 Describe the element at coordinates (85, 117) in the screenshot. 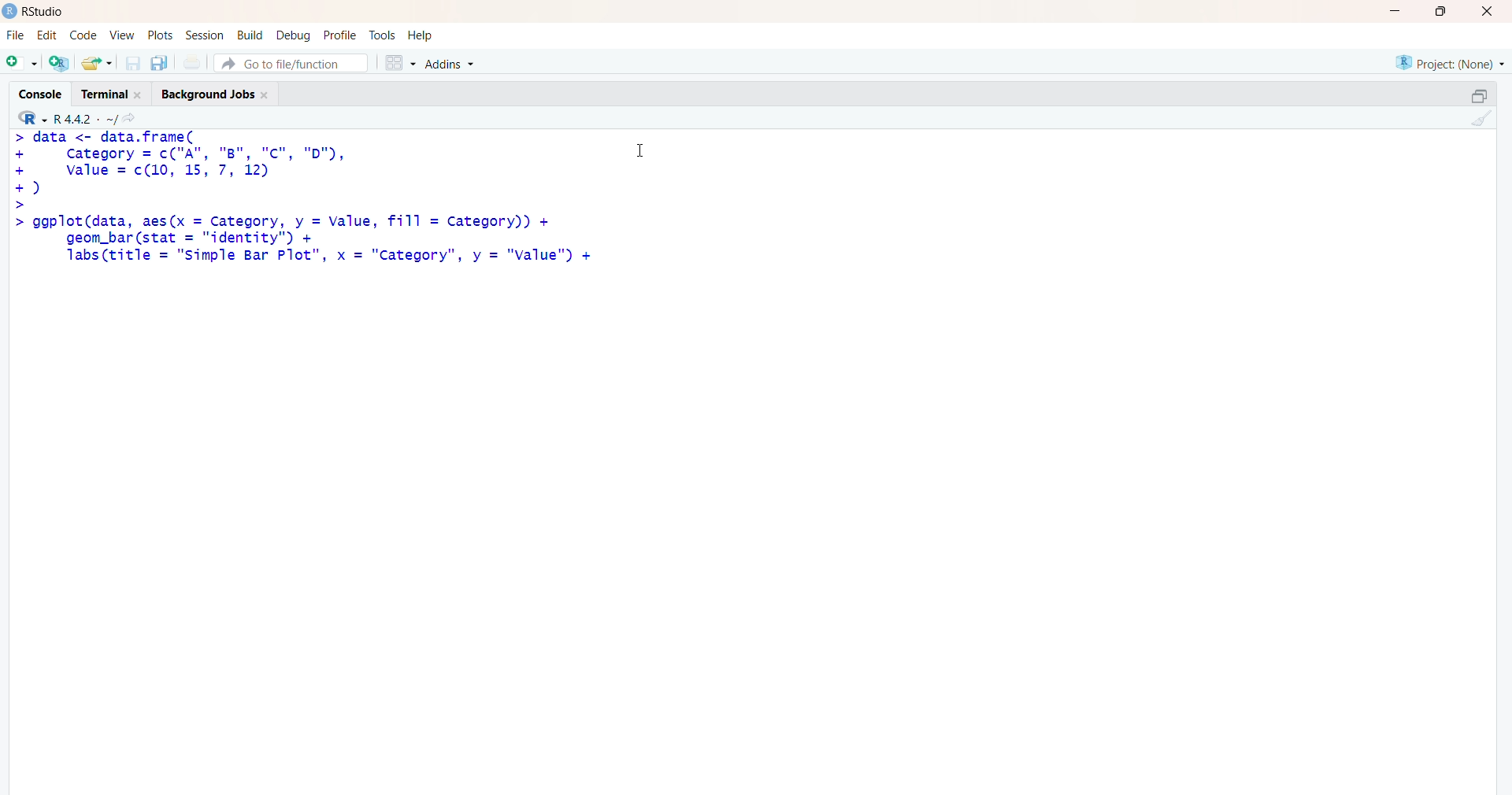

I see ` R language version - R 4.4.2` at that location.